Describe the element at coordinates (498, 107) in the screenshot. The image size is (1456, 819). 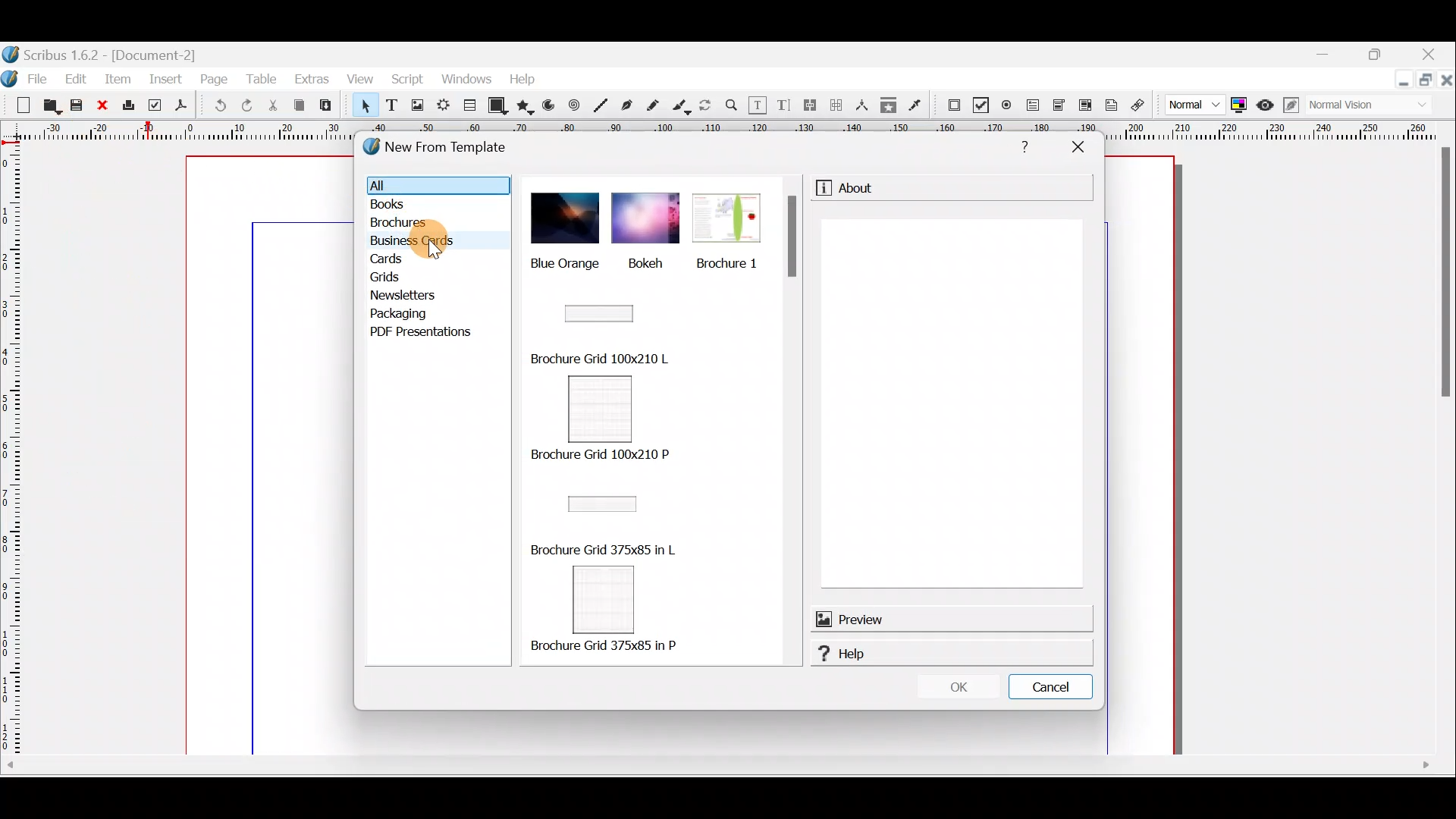
I see `Shape` at that location.